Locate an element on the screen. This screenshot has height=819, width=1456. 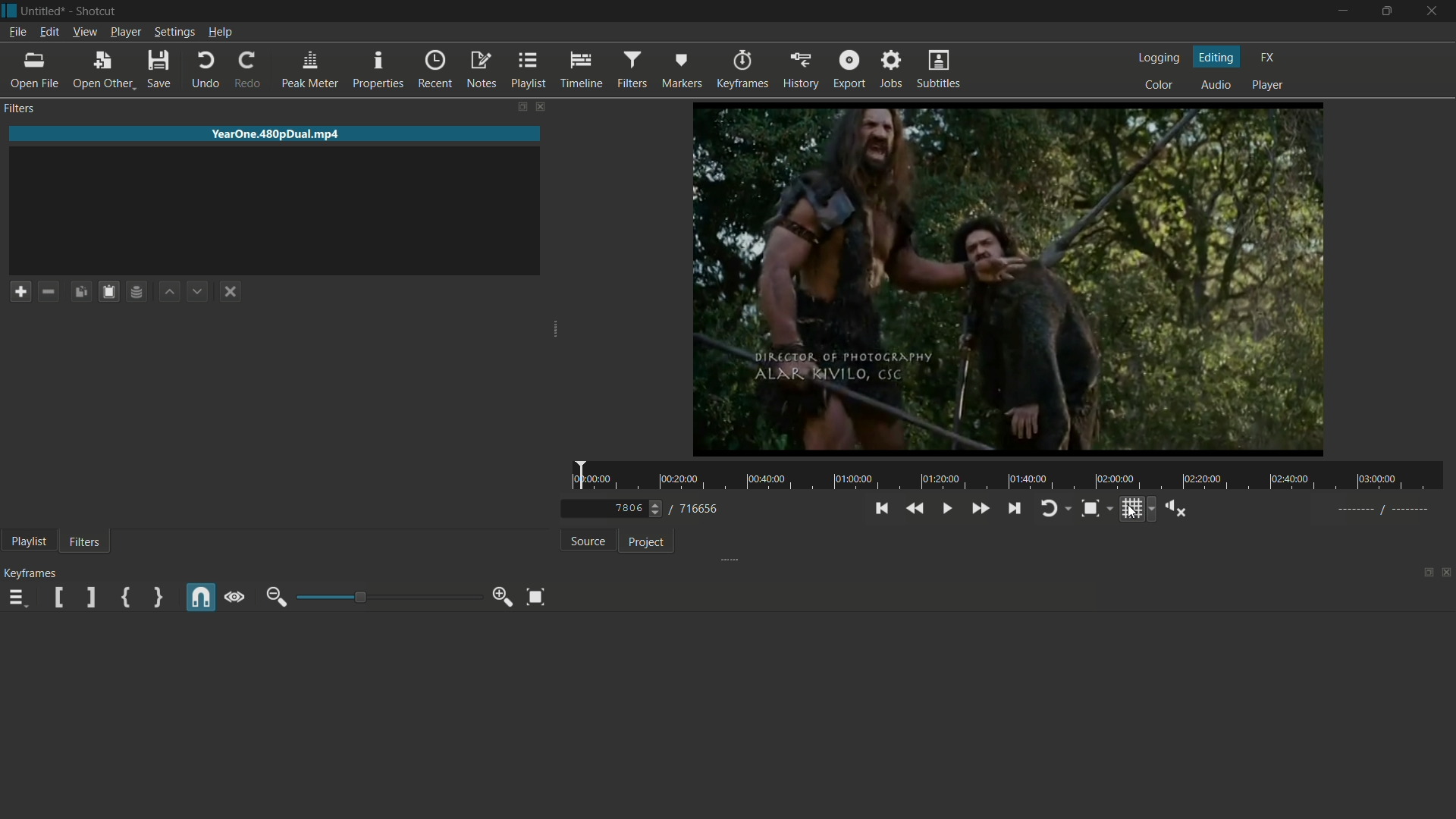
zoom out is located at coordinates (274, 598).